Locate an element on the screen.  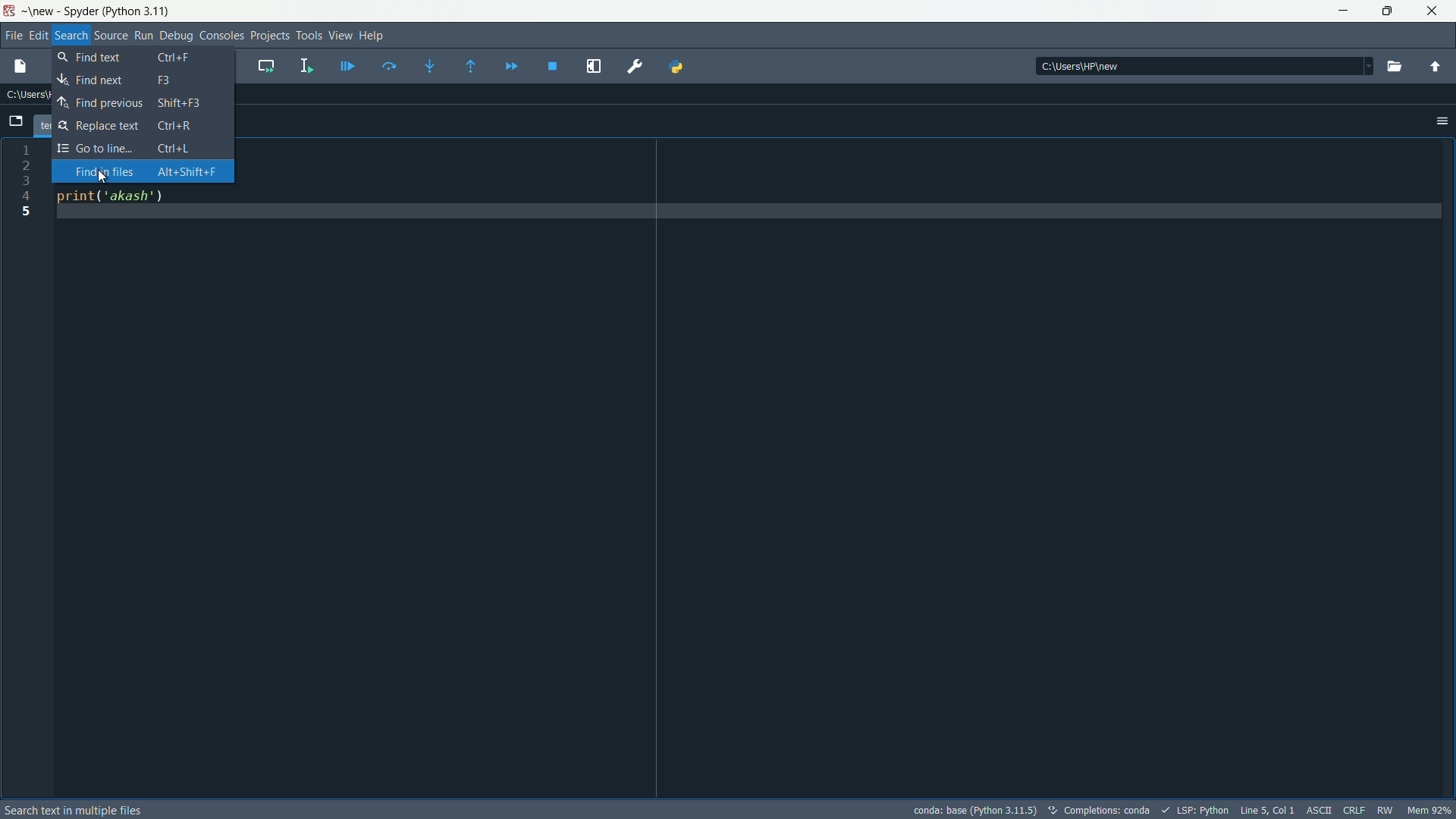
cursor position is located at coordinates (1265, 809).